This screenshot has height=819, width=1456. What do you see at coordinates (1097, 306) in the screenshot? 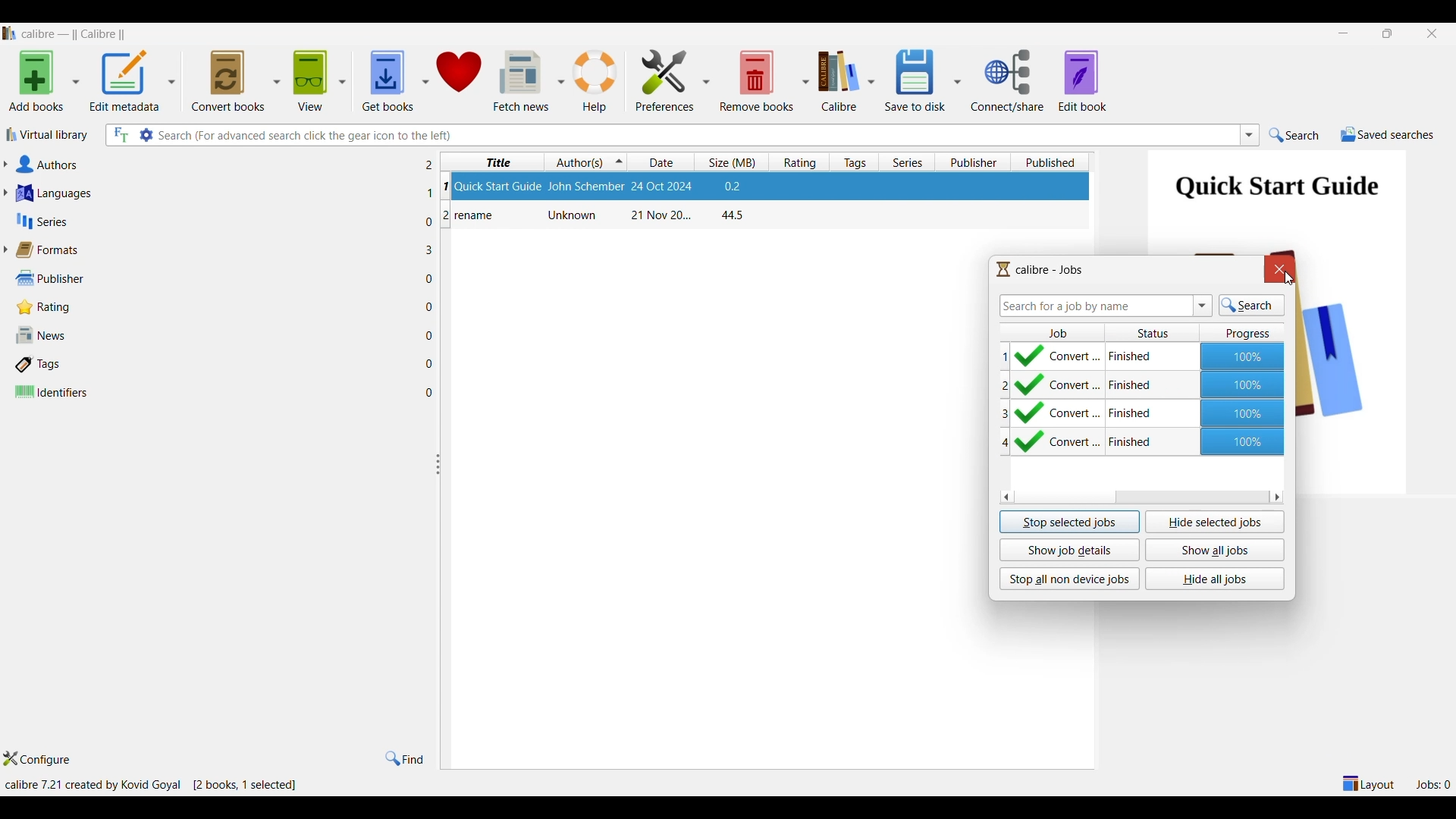
I see `Type in search` at bounding box center [1097, 306].